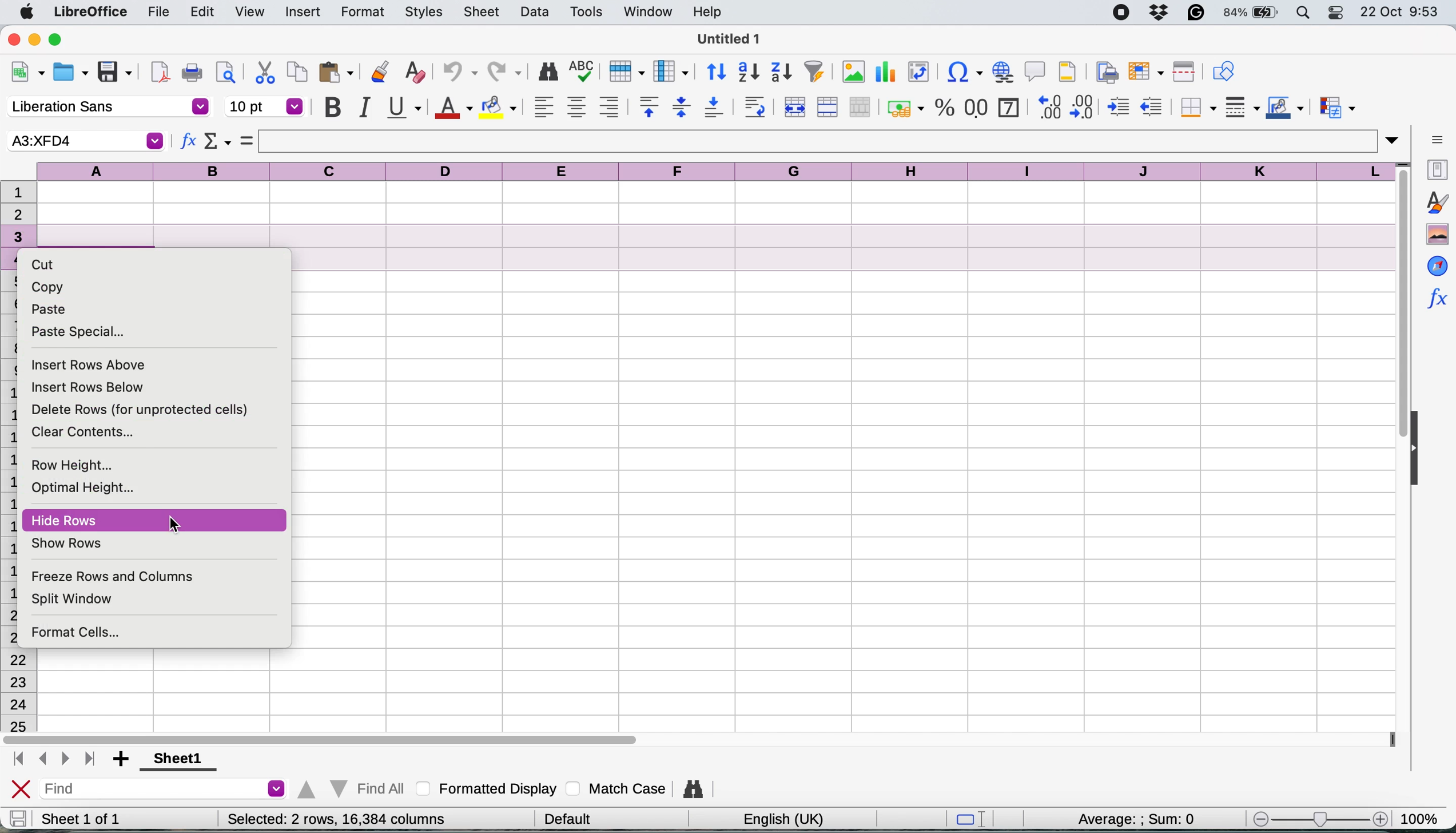 Image resolution: width=1456 pixels, height=833 pixels. Describe the element at coordinates (174, 526) in the screenshot. I see `cursor` at that location.